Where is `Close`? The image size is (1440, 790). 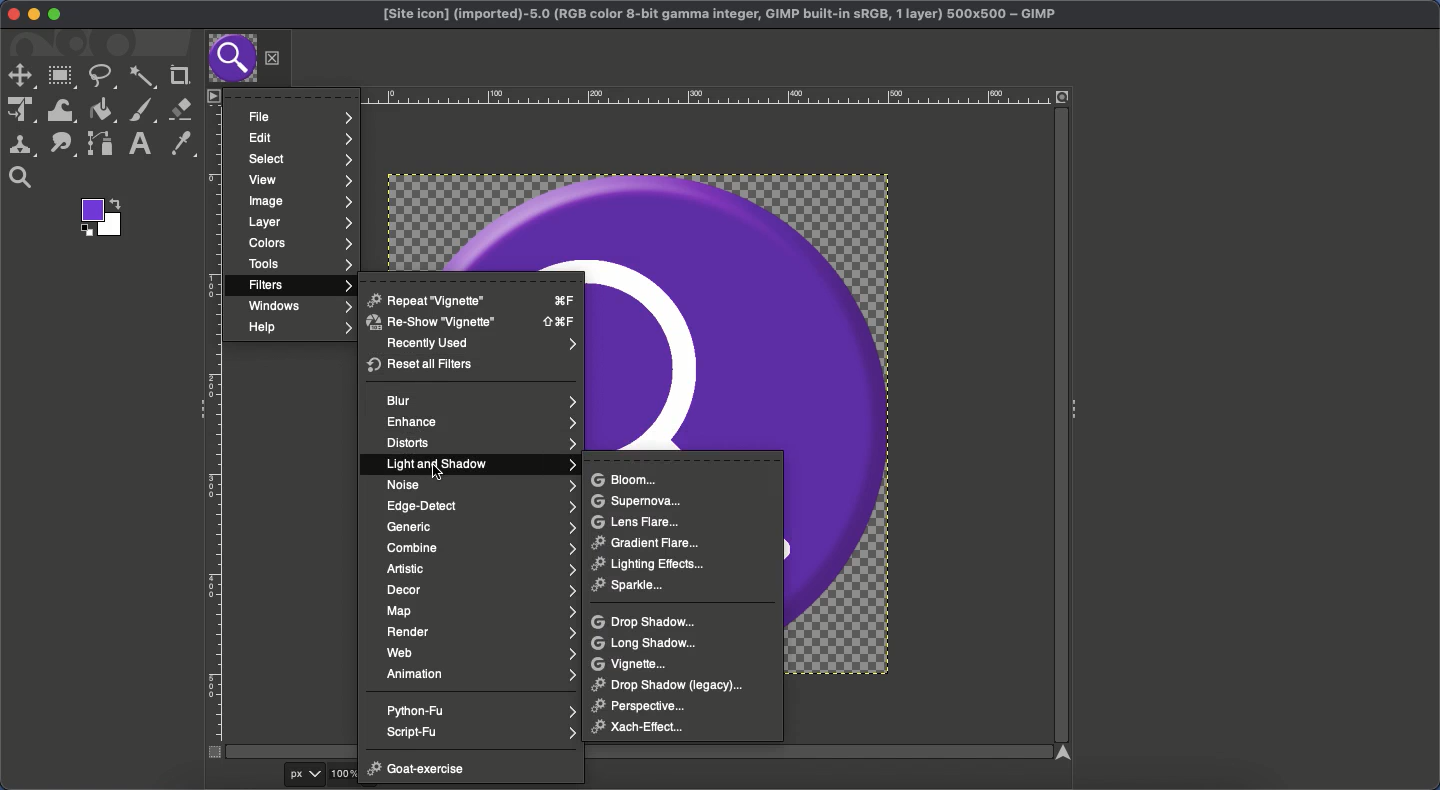
Close is located at coordinates (273, 58).